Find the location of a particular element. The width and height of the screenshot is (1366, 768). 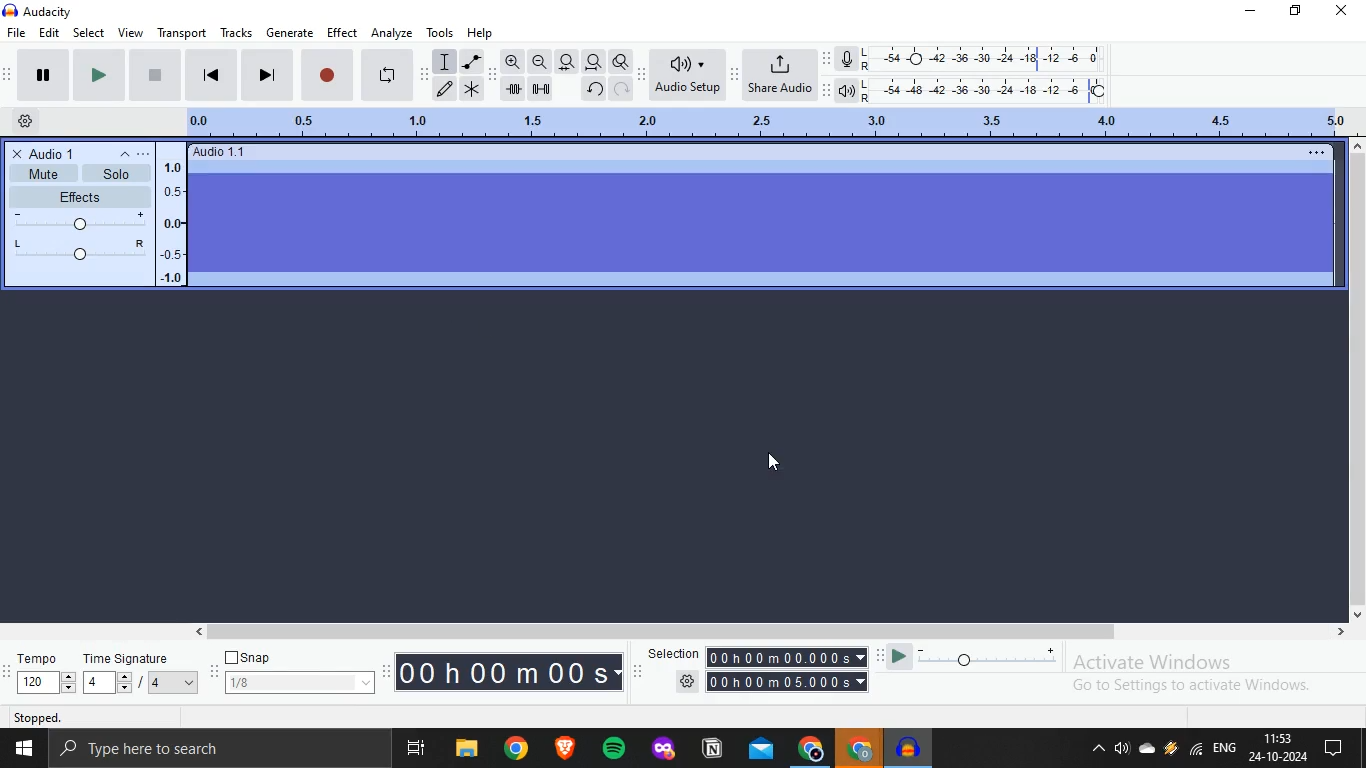

Typing is located at coordinates (445, 62).